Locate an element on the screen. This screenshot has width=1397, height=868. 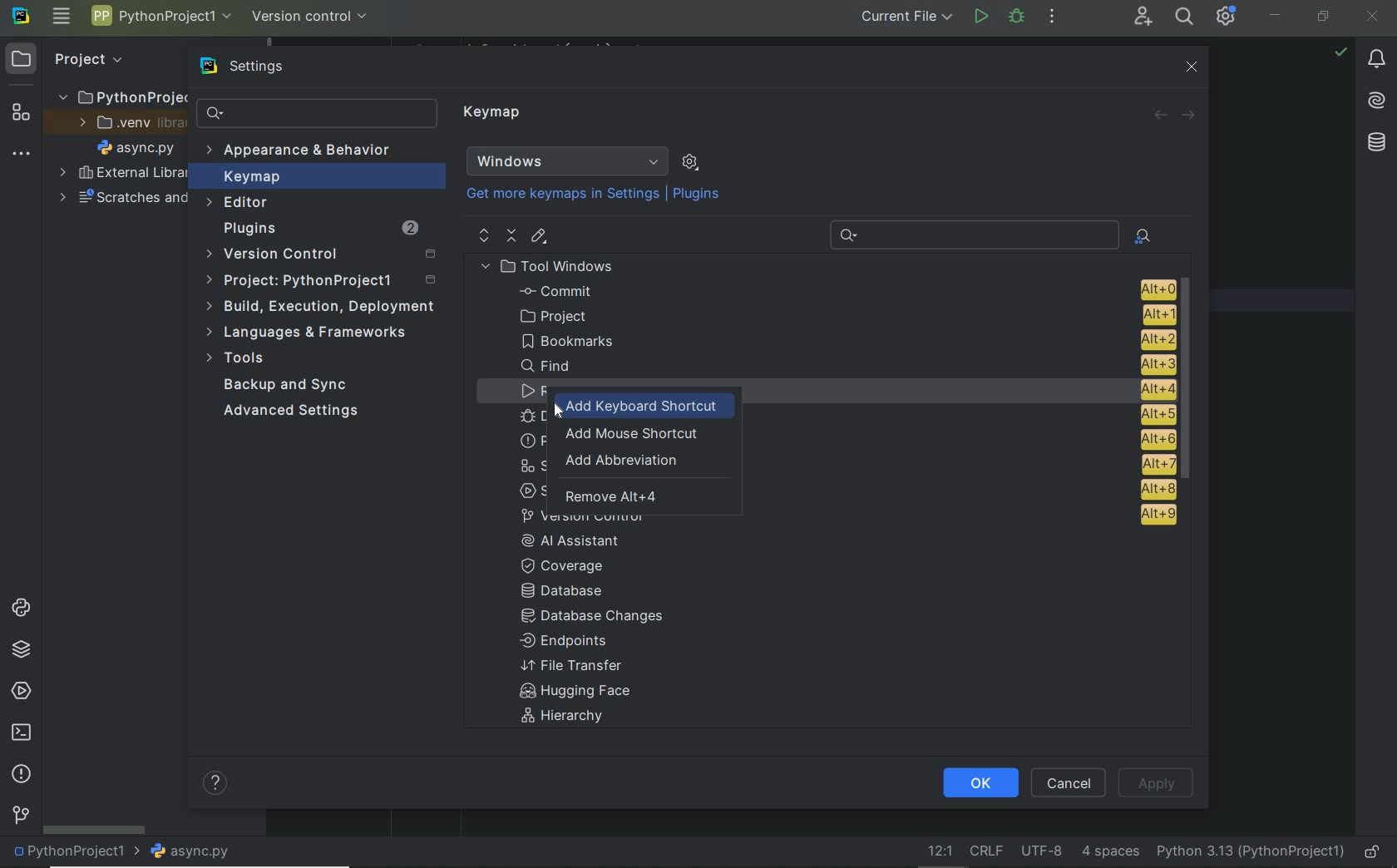
alt + 6 is located at coordinates (1156, 440).